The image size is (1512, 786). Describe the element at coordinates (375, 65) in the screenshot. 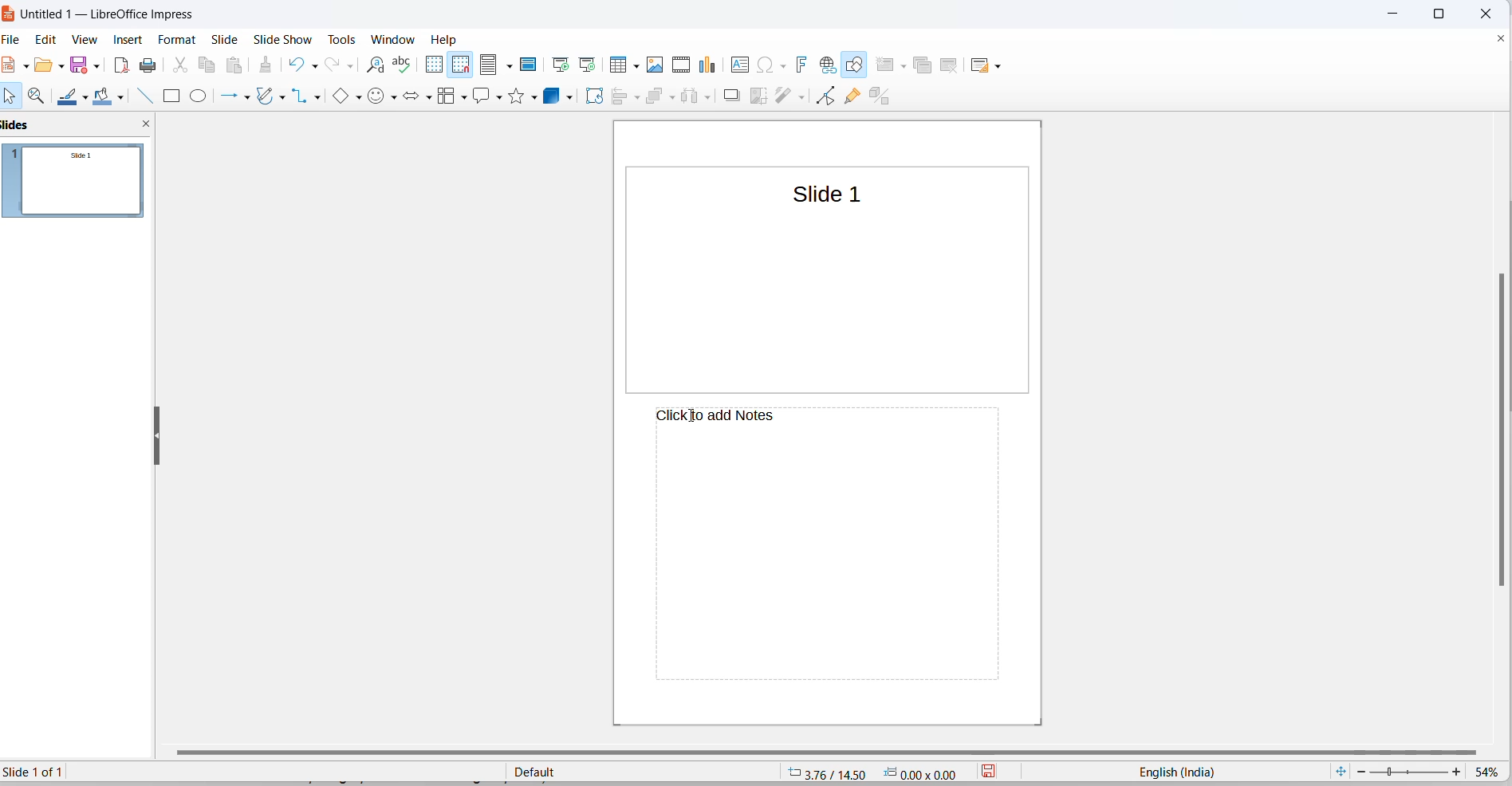

I see `find and replace` at that location.